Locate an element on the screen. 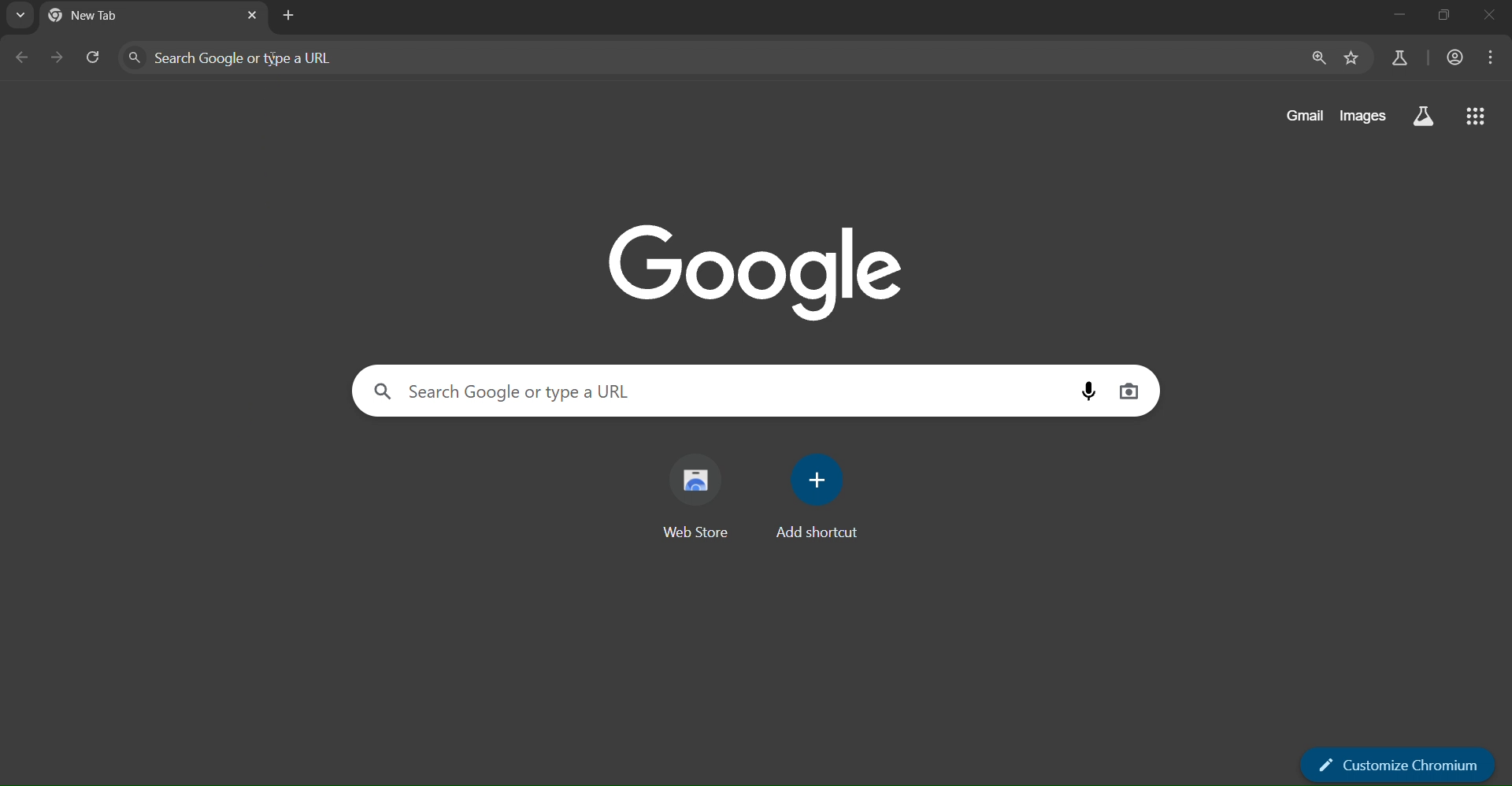 This screenshot has width=1512, height=786. images is located at coordinates (1366, 117).